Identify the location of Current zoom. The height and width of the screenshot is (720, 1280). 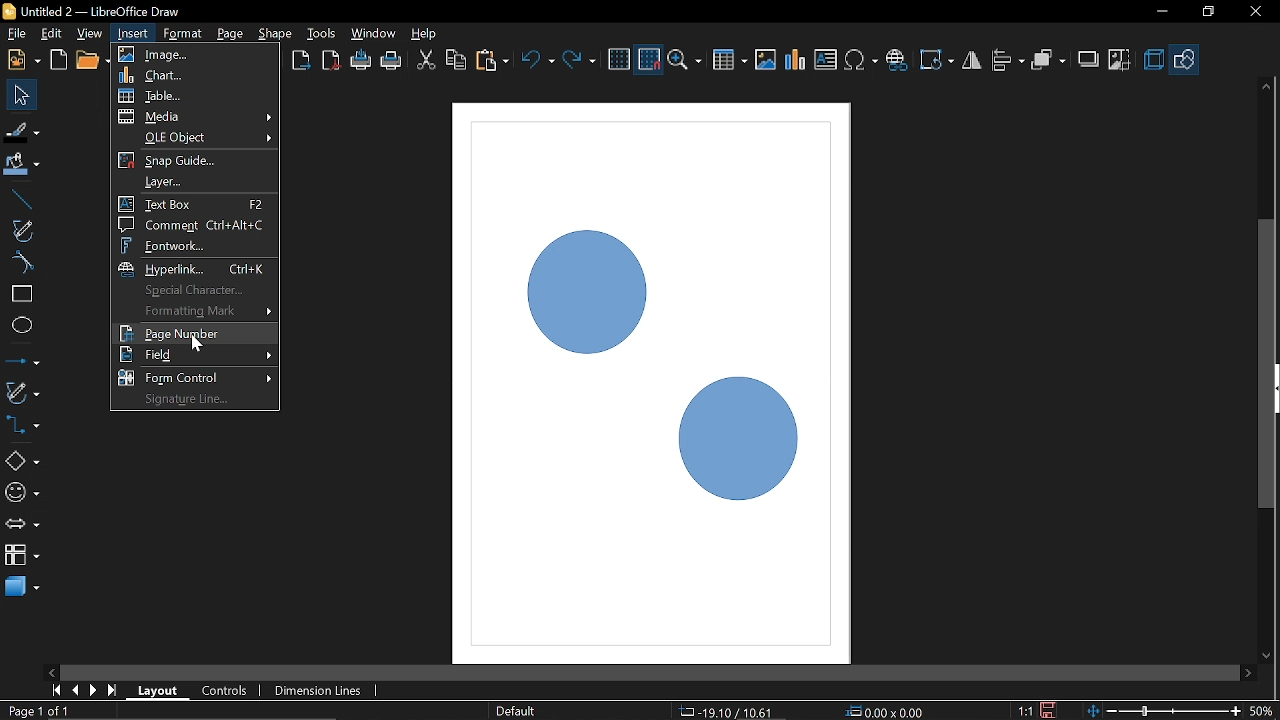
(1262, 710).